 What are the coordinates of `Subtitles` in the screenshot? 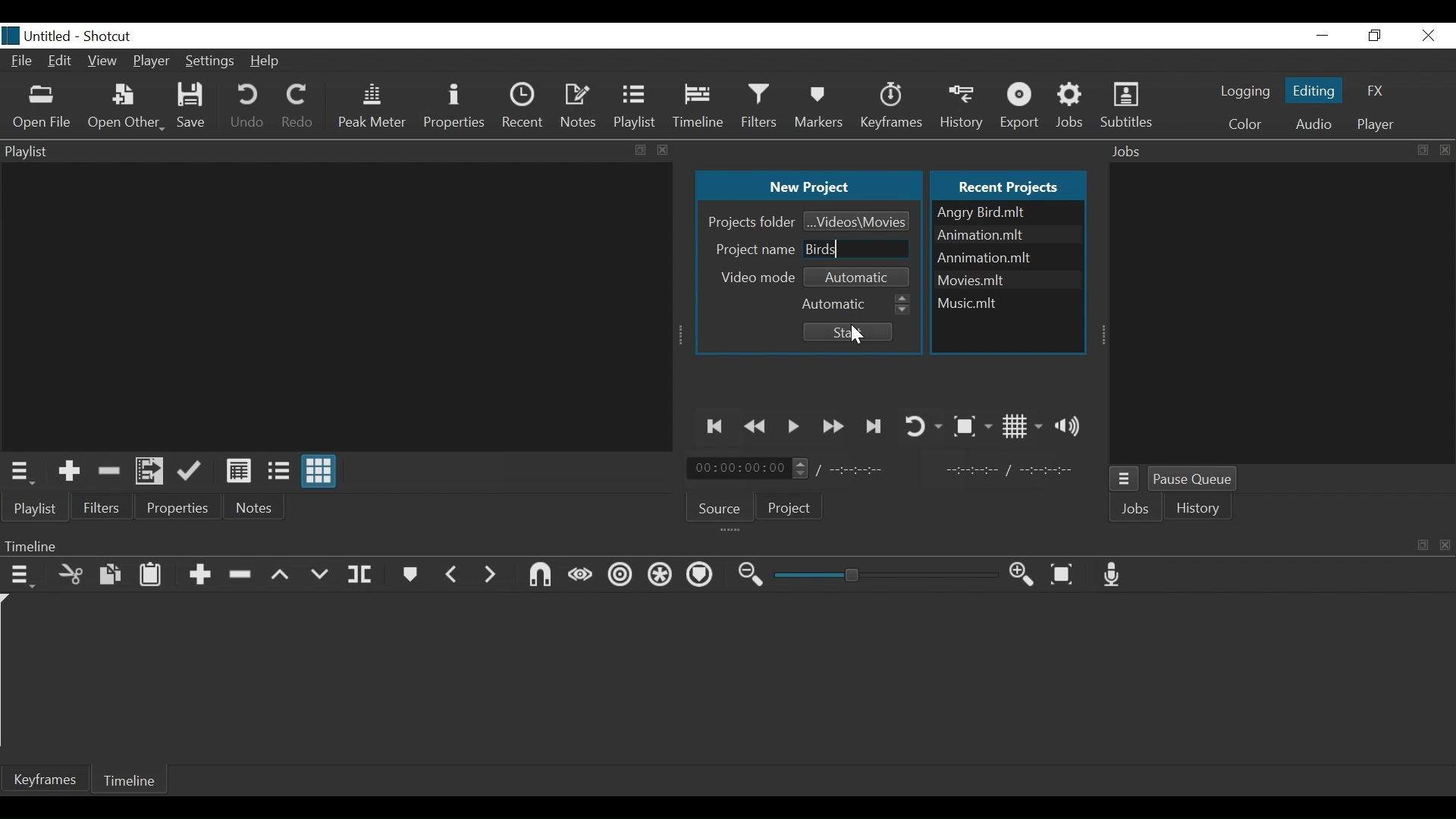 It's located at (1126, 106).